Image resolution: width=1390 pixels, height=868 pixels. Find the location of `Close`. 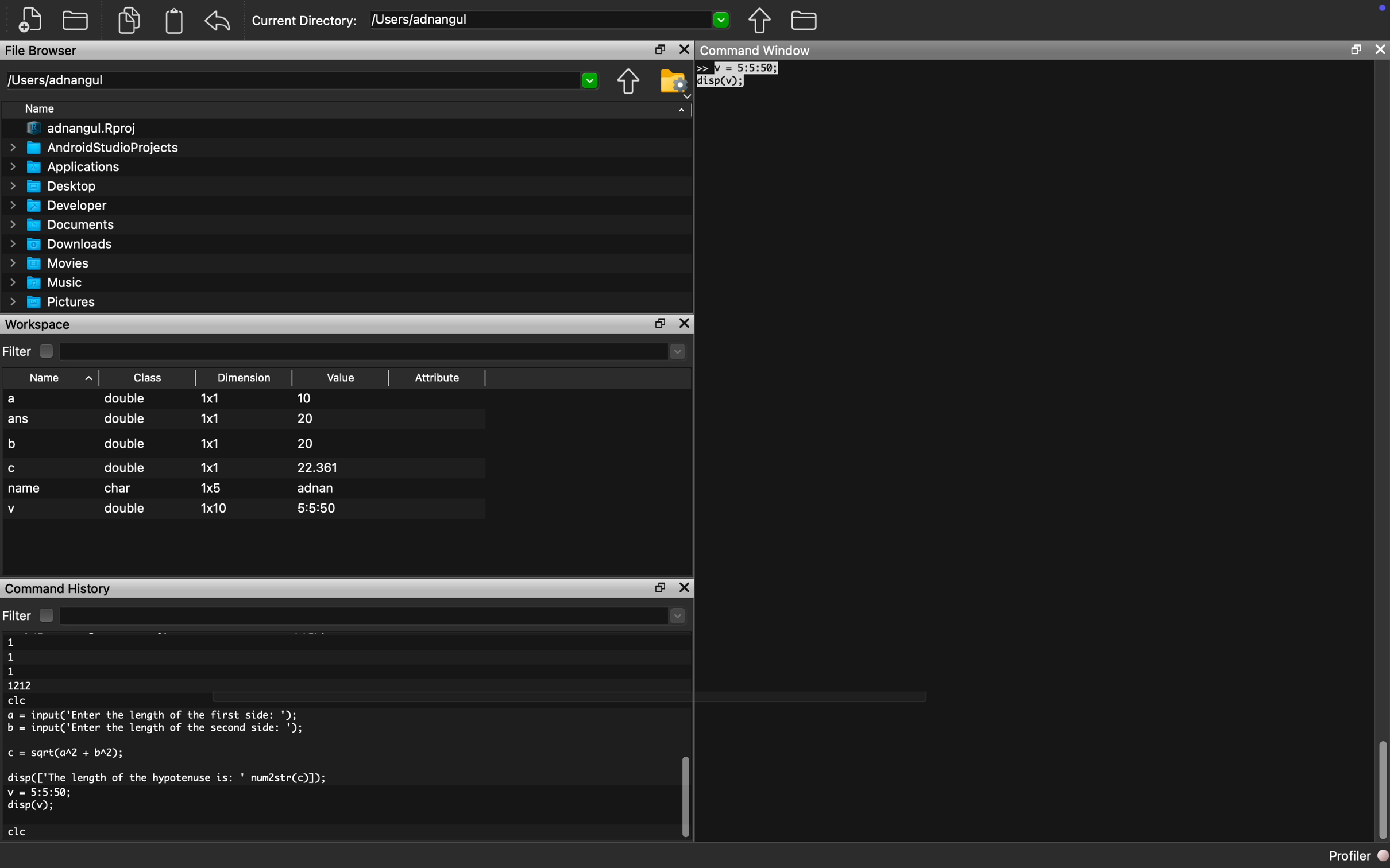

Close is located at coordinates (684, 50).